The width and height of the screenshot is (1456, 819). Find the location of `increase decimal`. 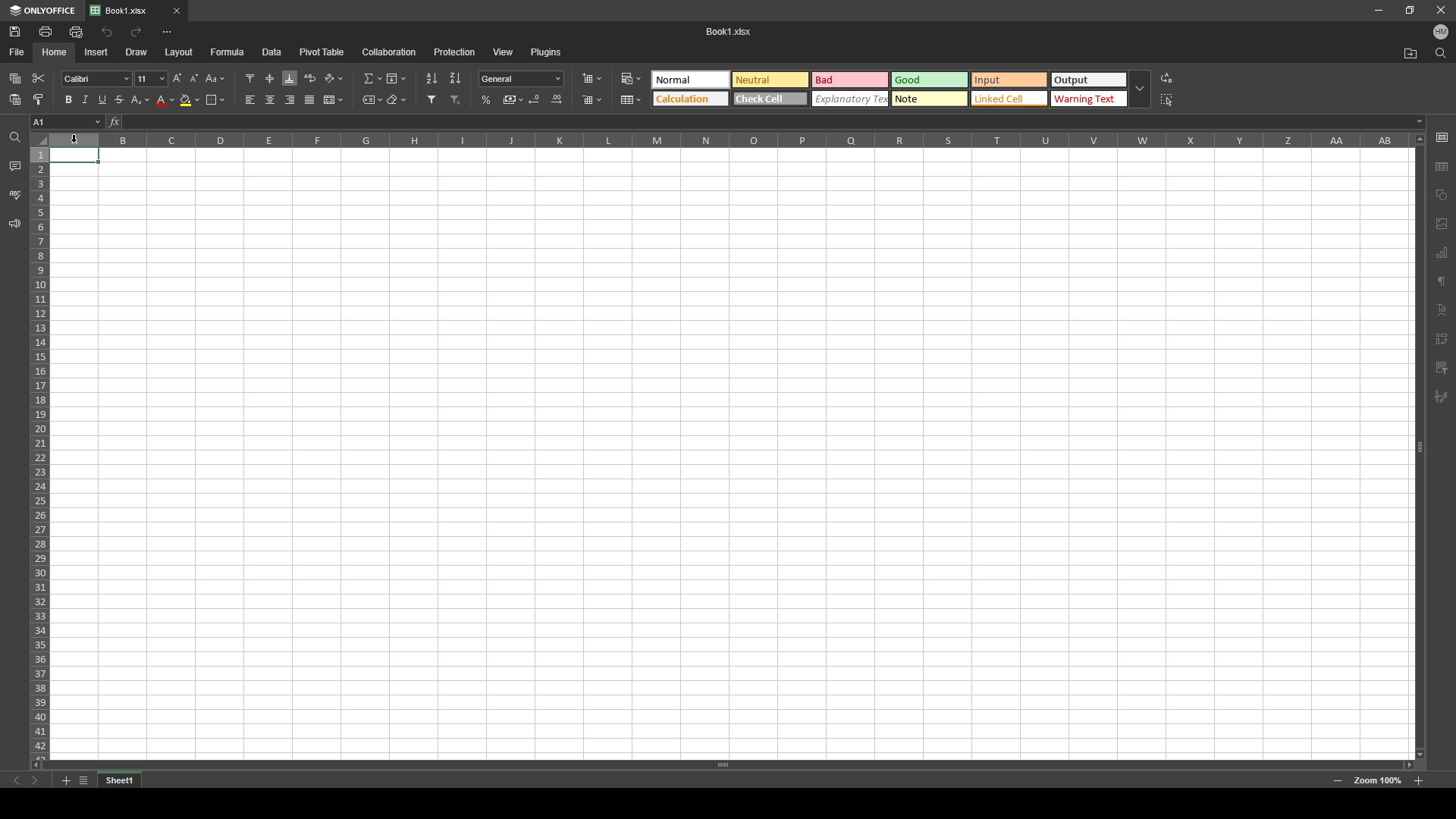

increase decimal is located at coordinates (557, 99).